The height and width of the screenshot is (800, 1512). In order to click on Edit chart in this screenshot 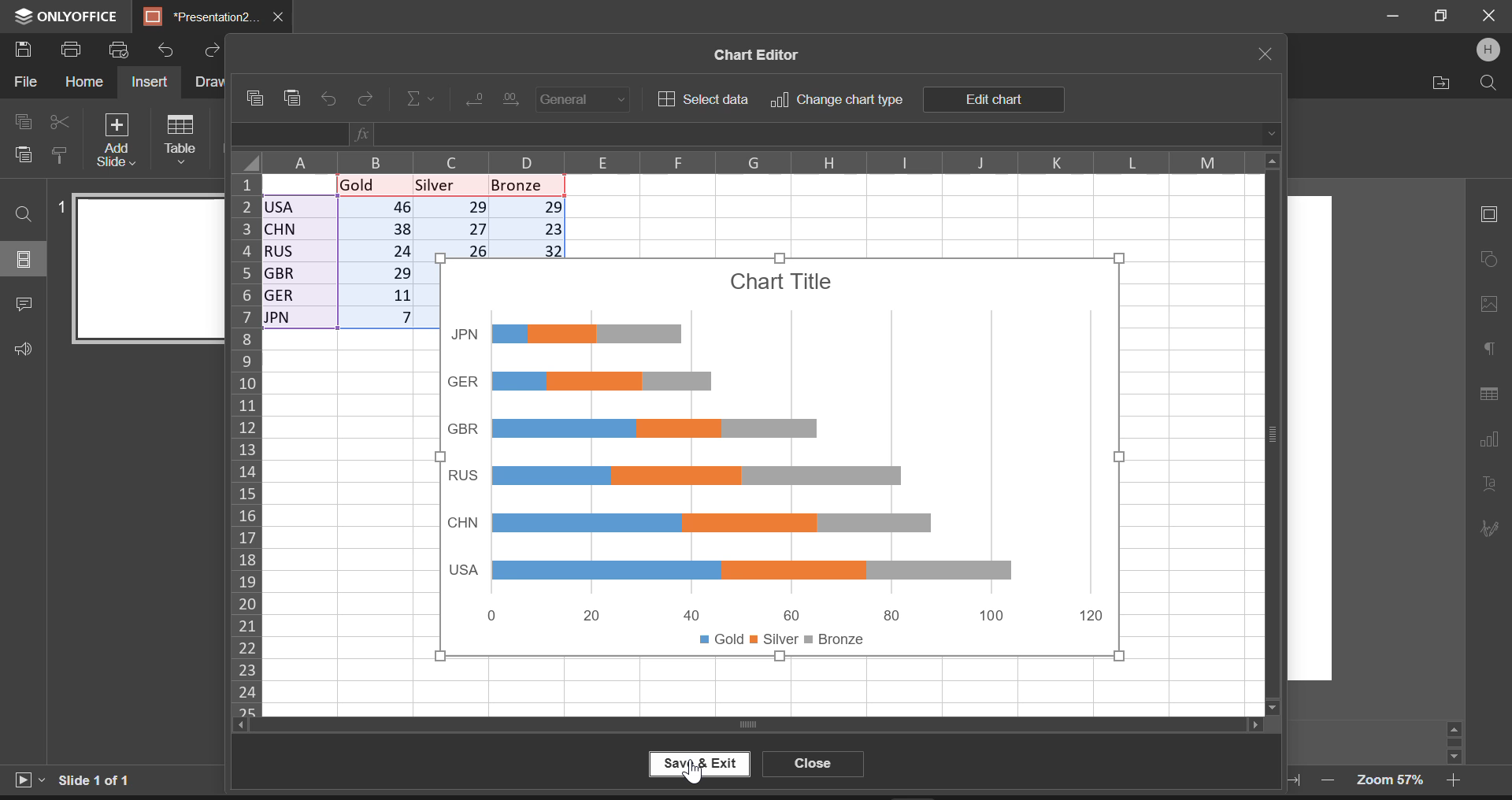, I will do `click(991, 98)`.